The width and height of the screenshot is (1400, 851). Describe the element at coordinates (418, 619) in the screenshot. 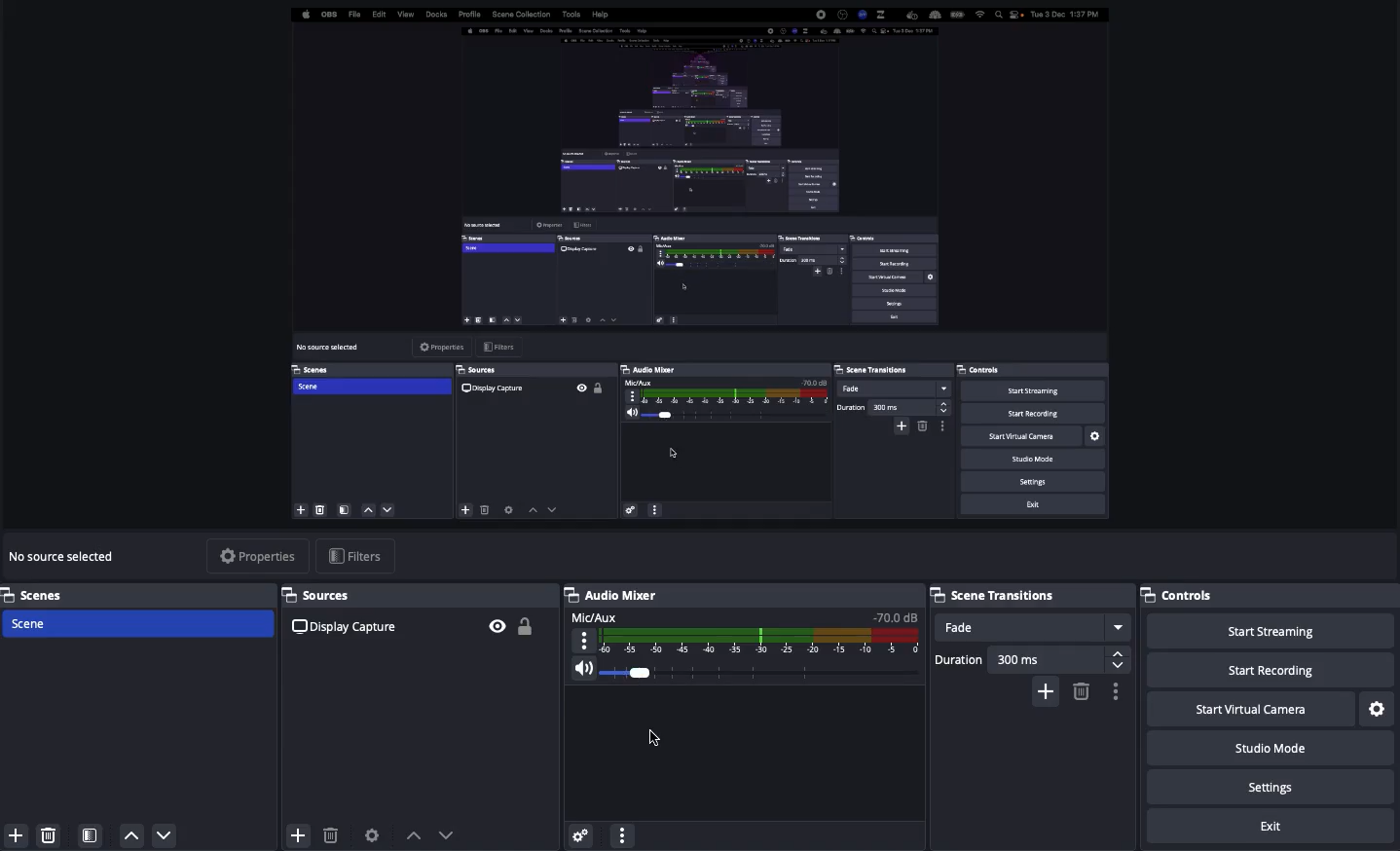

I see `Sources` at that location.